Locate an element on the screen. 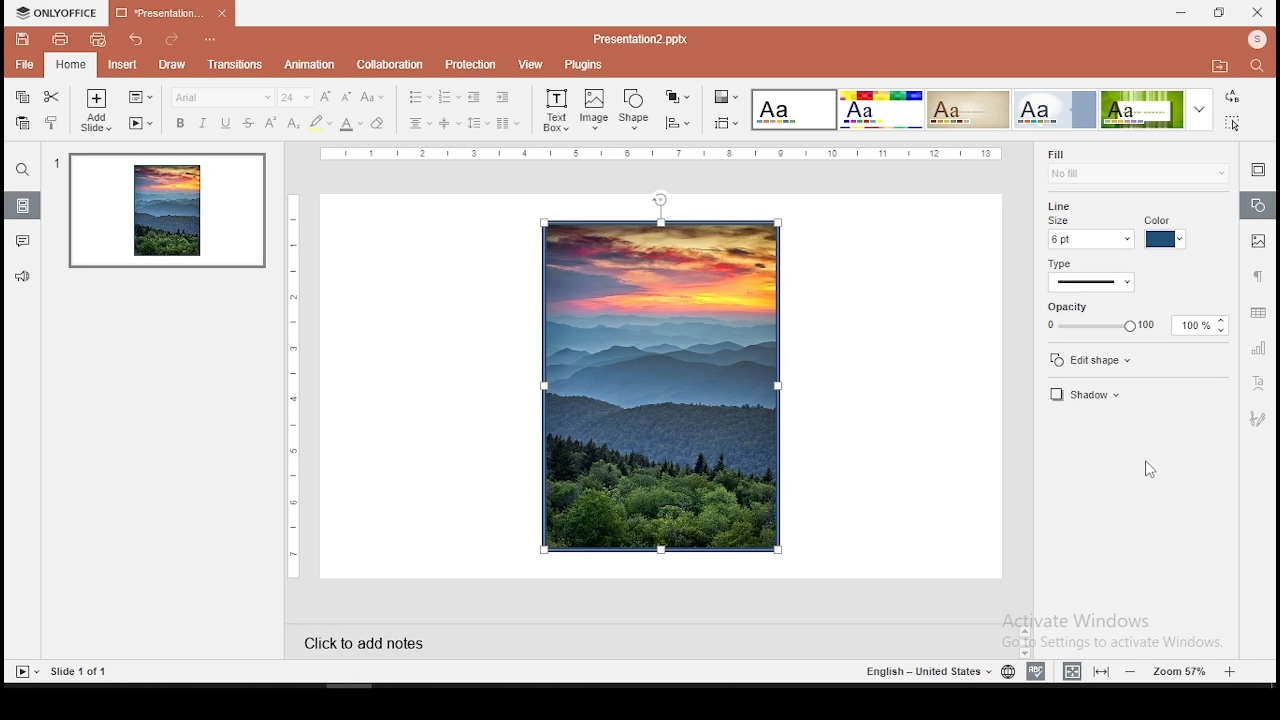 This screenshot has height=720, width=1280. shape settings is located at coordinates (1259, 207).